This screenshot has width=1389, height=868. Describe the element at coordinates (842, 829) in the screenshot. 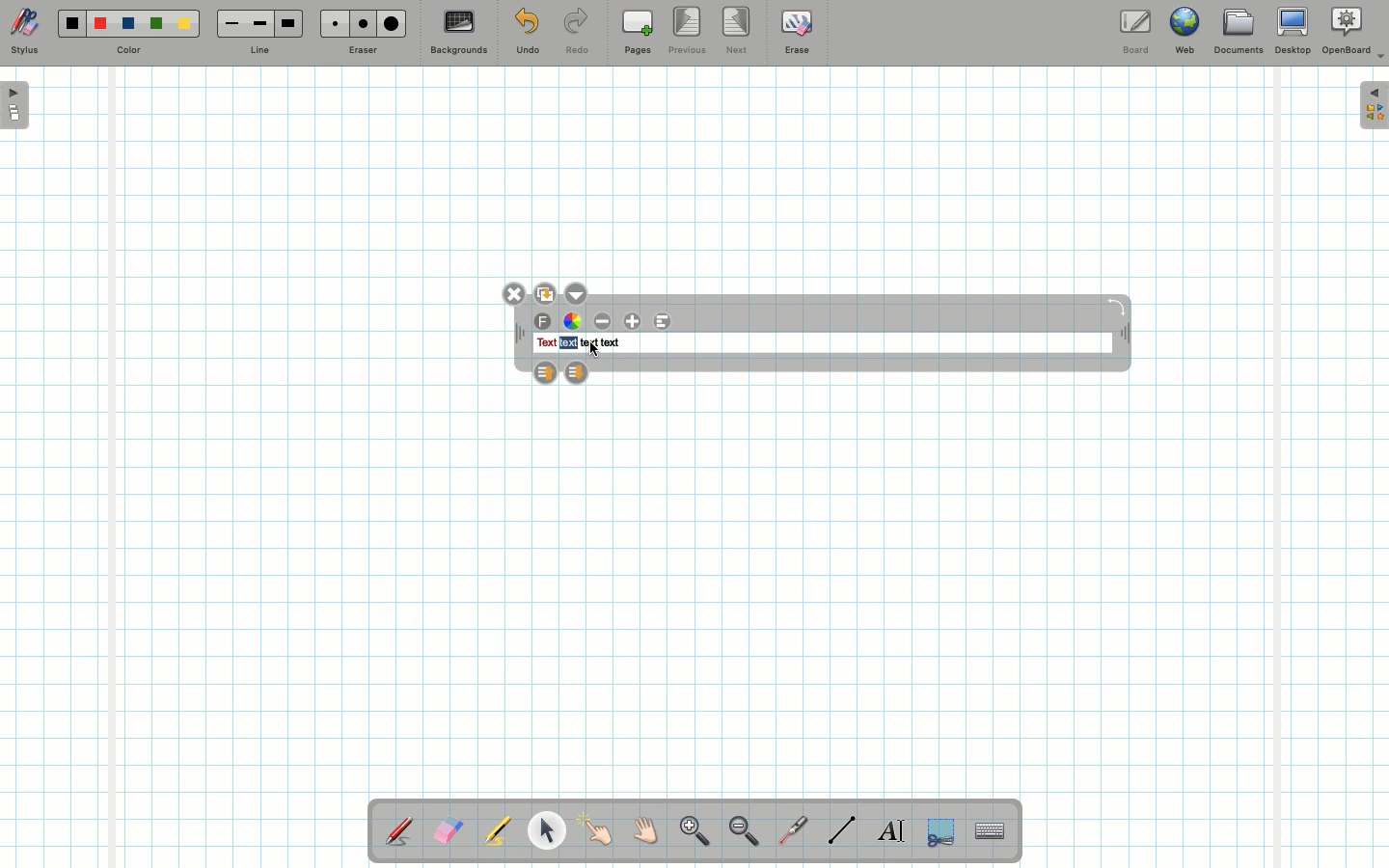

I see `Line` at that location.